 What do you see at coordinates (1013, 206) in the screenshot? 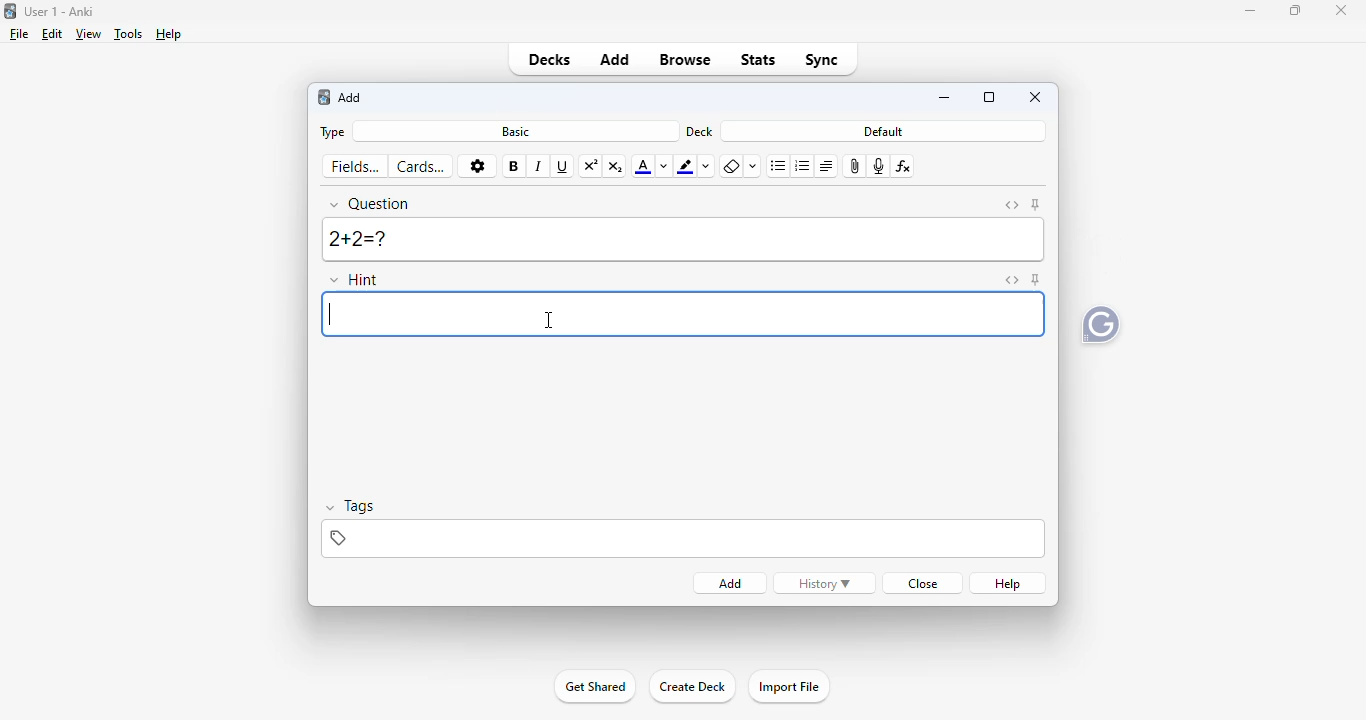
I see `toggle HTML editor` at bounding box center [1013, 206].